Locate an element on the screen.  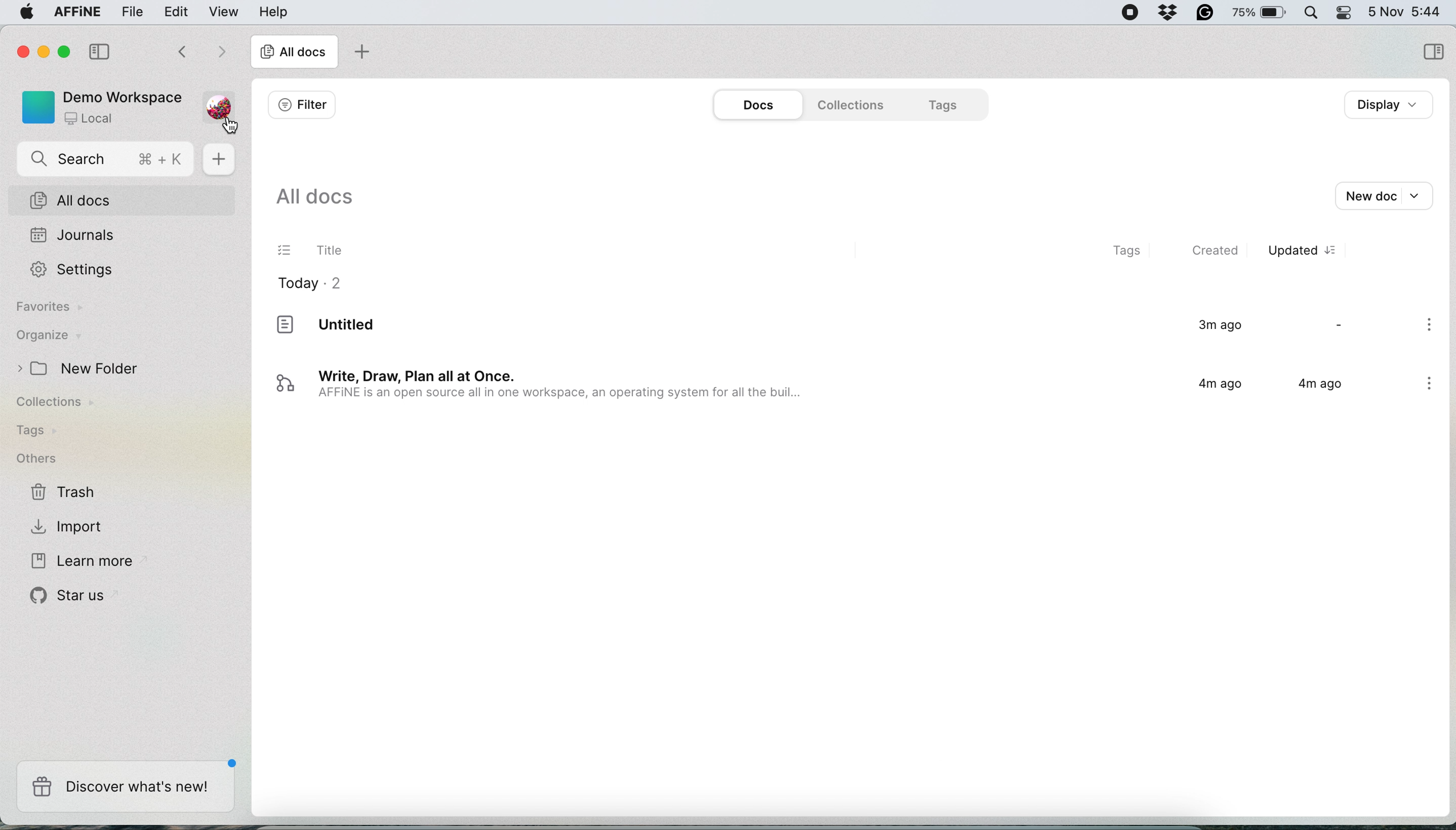
filter is located at coordinates (302, 105).